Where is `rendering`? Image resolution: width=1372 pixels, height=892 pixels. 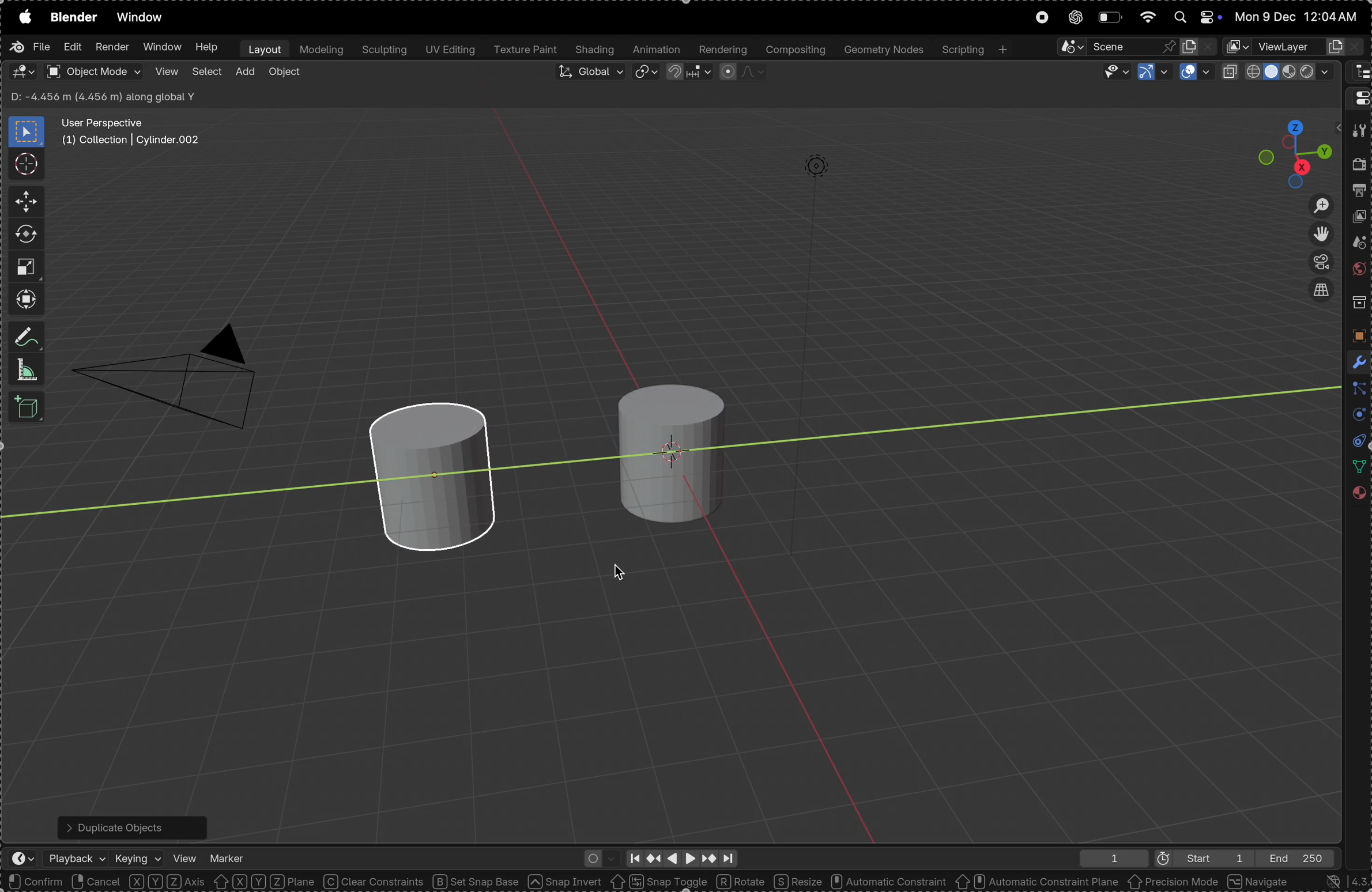 rendering is located at coordinates (721, 50).